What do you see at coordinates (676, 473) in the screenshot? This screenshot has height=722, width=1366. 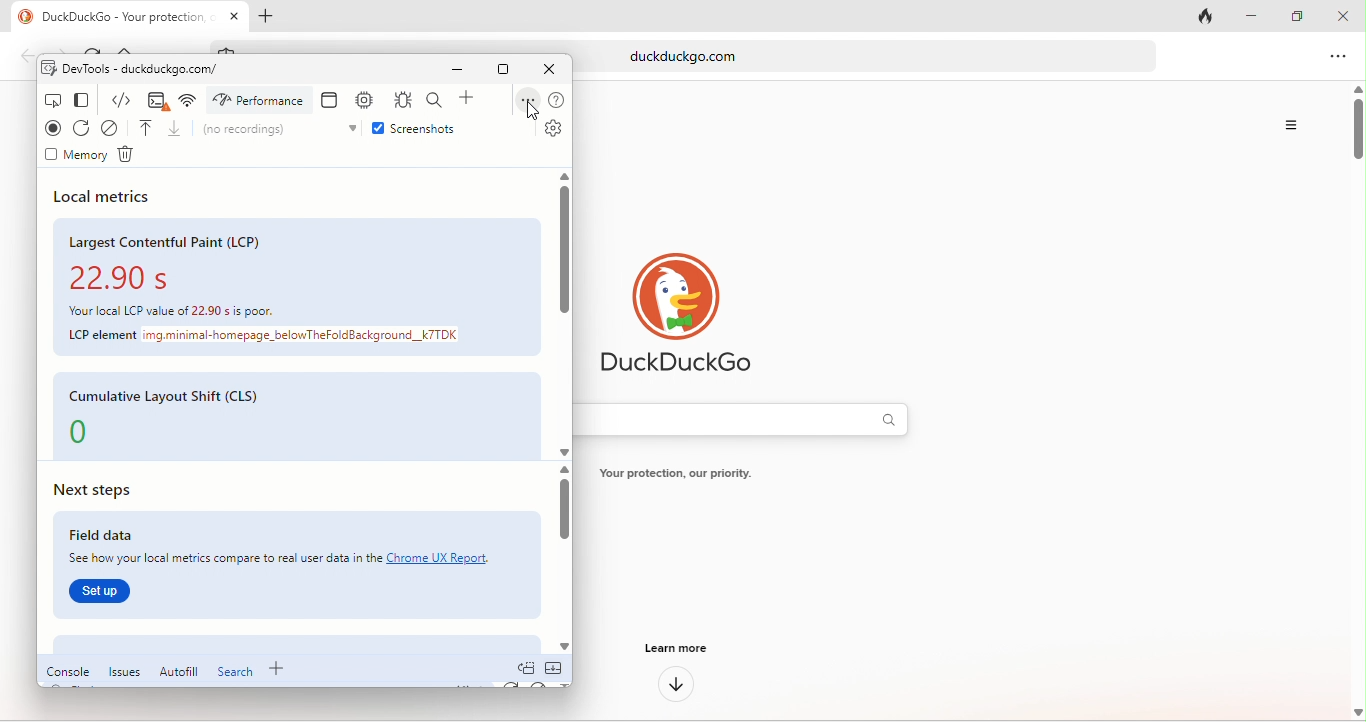 I see `Your protection, our priority` at bounding box center [676, 473].